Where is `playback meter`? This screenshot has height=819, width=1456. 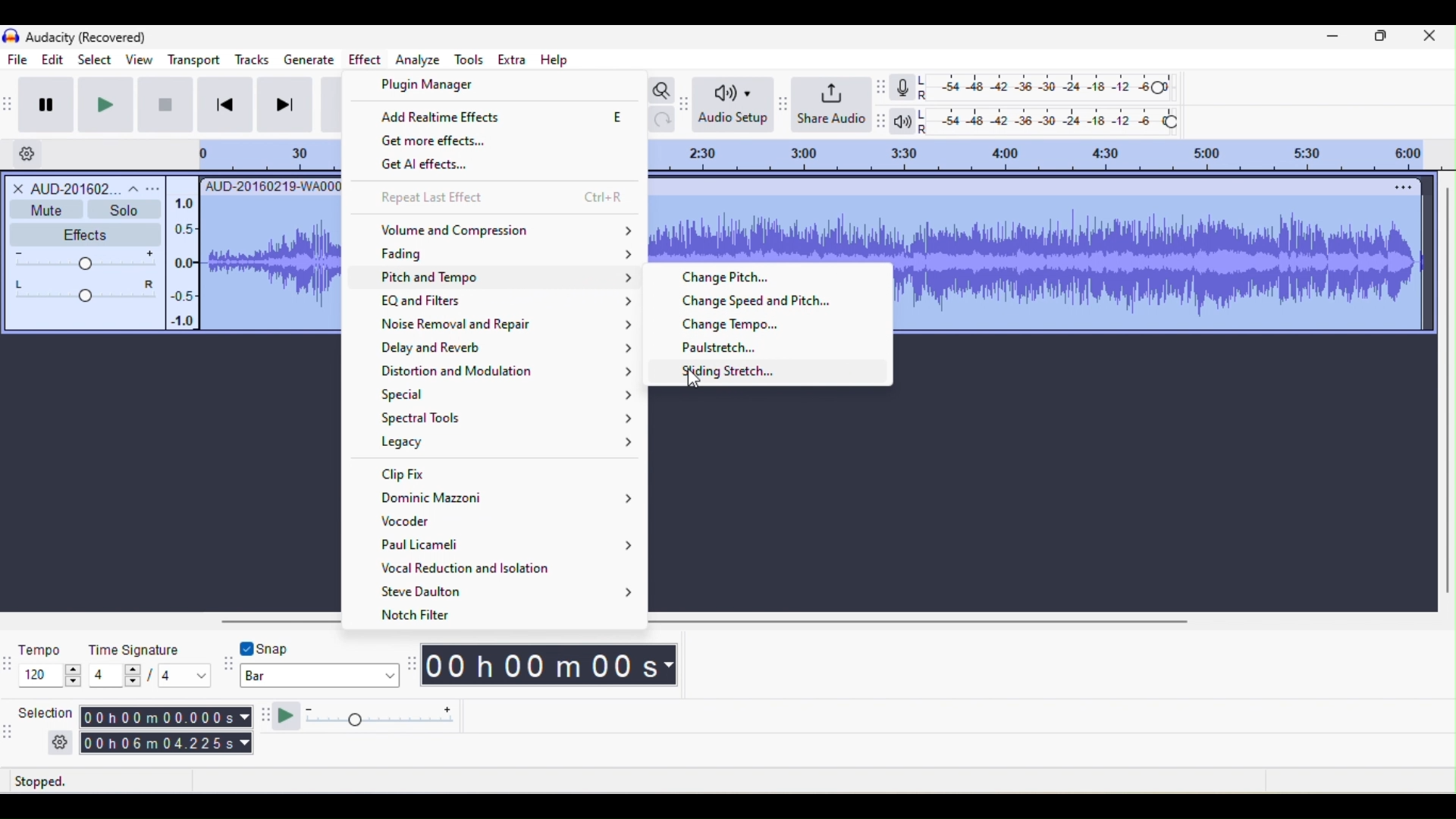
playback meter is located at coordinates (903, 124).